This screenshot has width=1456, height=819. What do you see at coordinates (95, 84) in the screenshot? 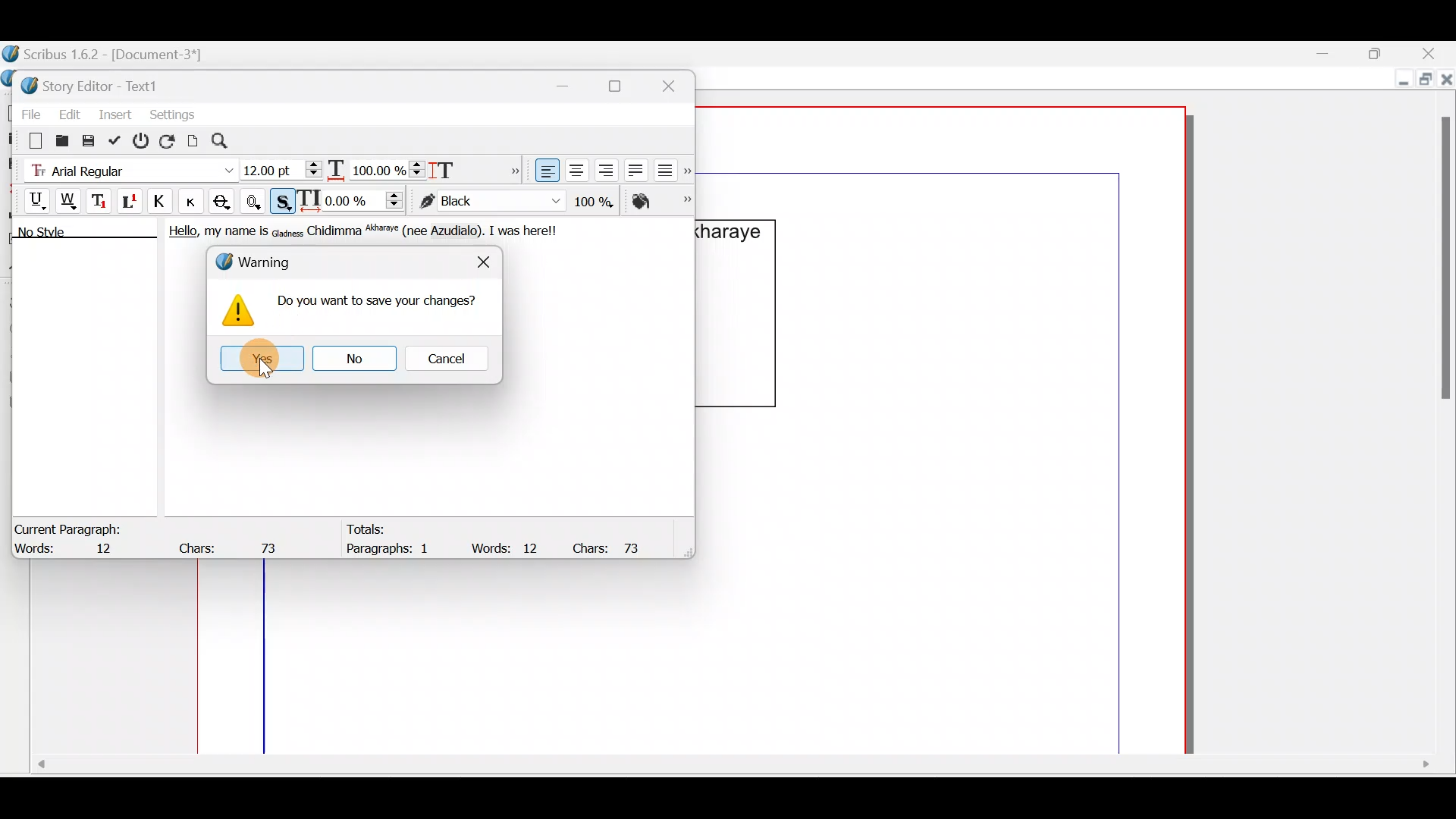
I see `Story Editor - Text1` at bounding box center [95, 84].